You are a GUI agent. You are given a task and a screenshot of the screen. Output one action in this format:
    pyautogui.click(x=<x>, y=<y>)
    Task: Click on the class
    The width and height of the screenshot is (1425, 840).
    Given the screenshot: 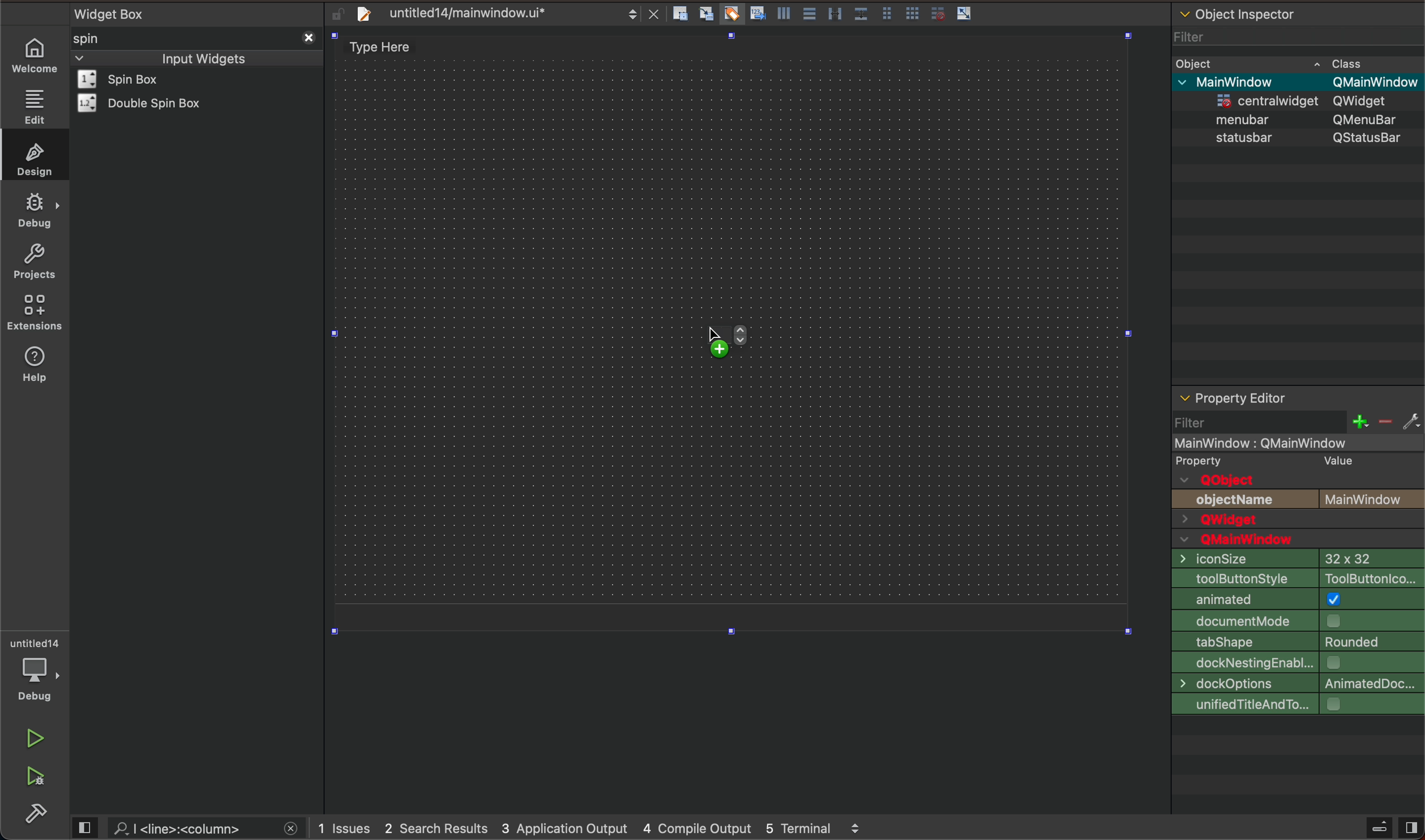 What is the action you would take?
    pyautogui.click(x=1349, y=62)
    